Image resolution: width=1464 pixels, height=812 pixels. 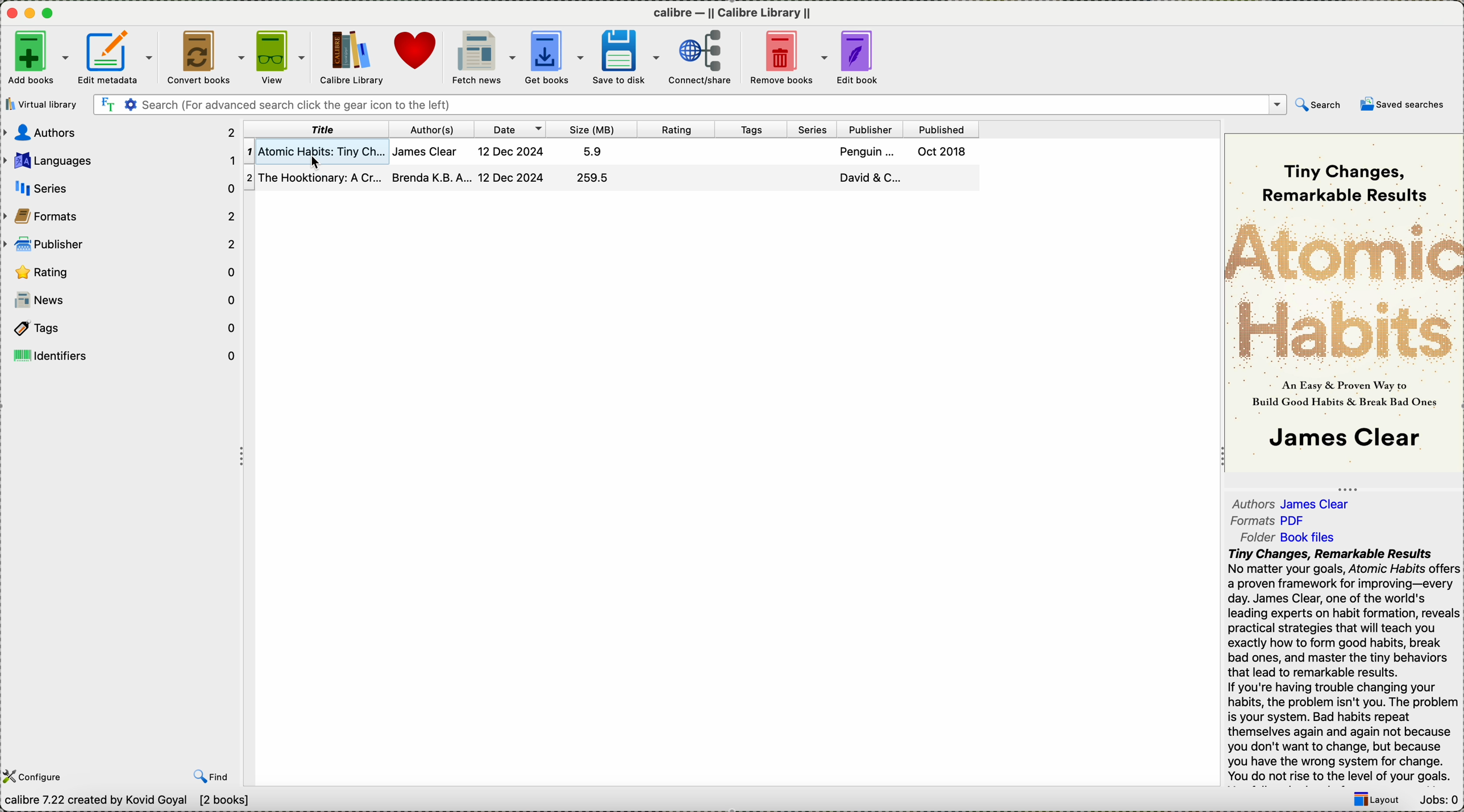 I want to click on The Hooktionary book, so click(x=612, y=177).